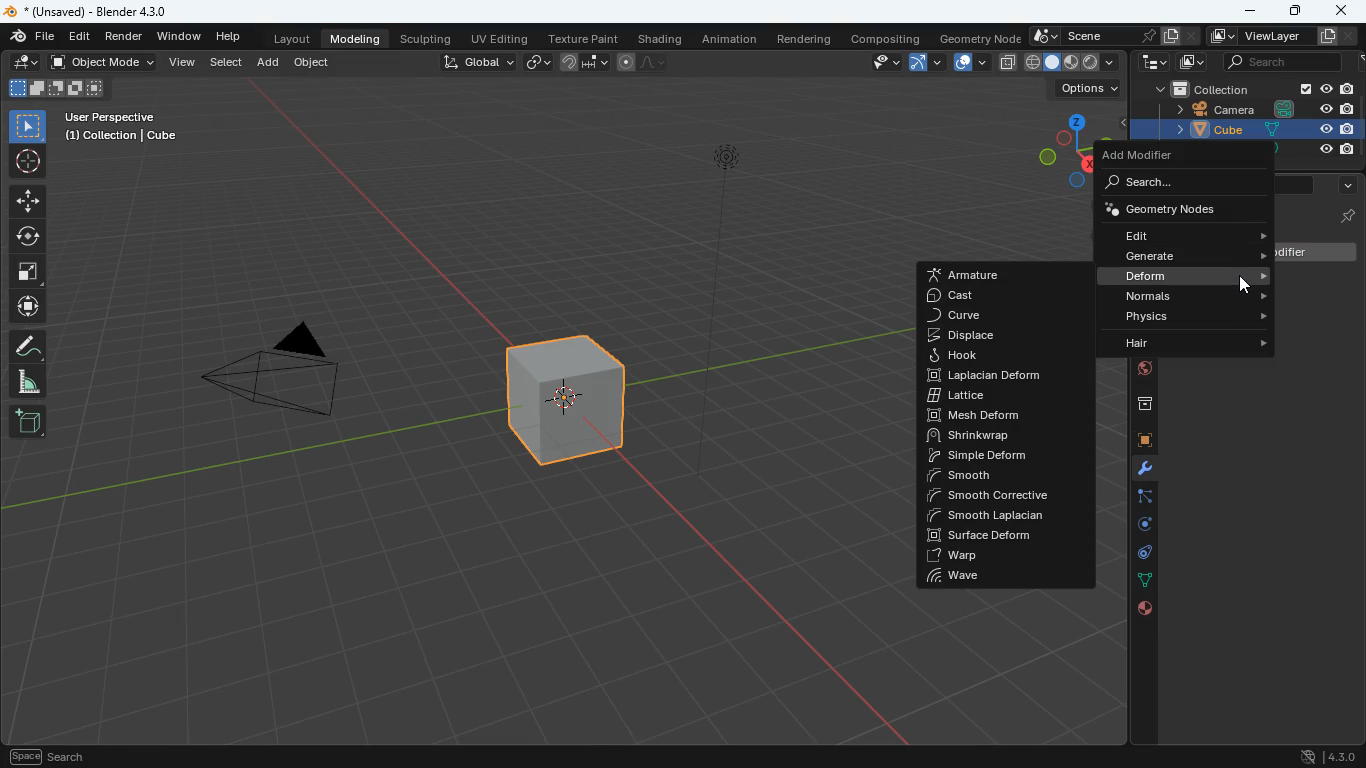  I want to click on options, so click(1090, 88).